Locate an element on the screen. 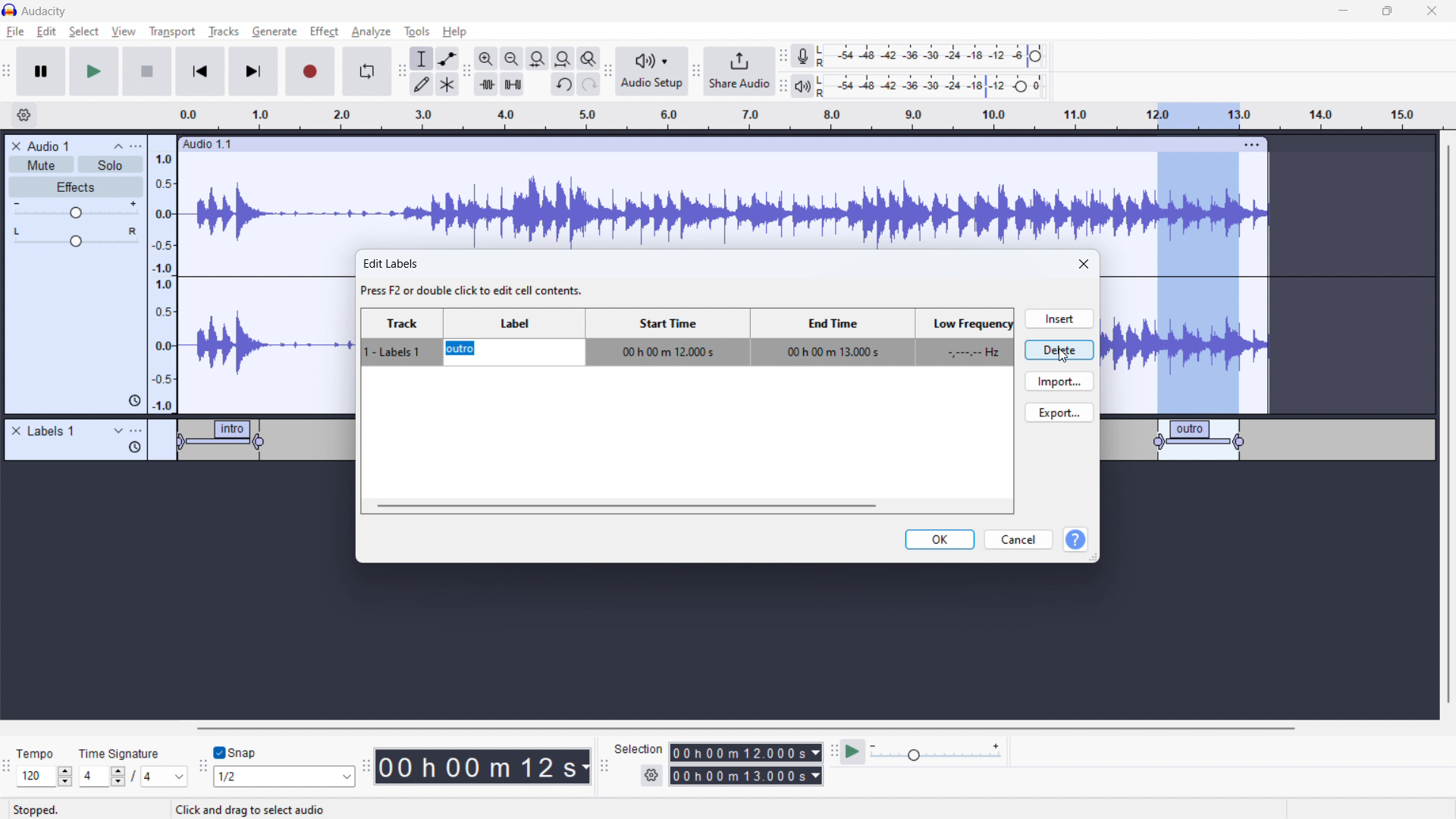 The width and height of the screenshot is (1456, 819). minimize is located at coordinates (1342, 11).